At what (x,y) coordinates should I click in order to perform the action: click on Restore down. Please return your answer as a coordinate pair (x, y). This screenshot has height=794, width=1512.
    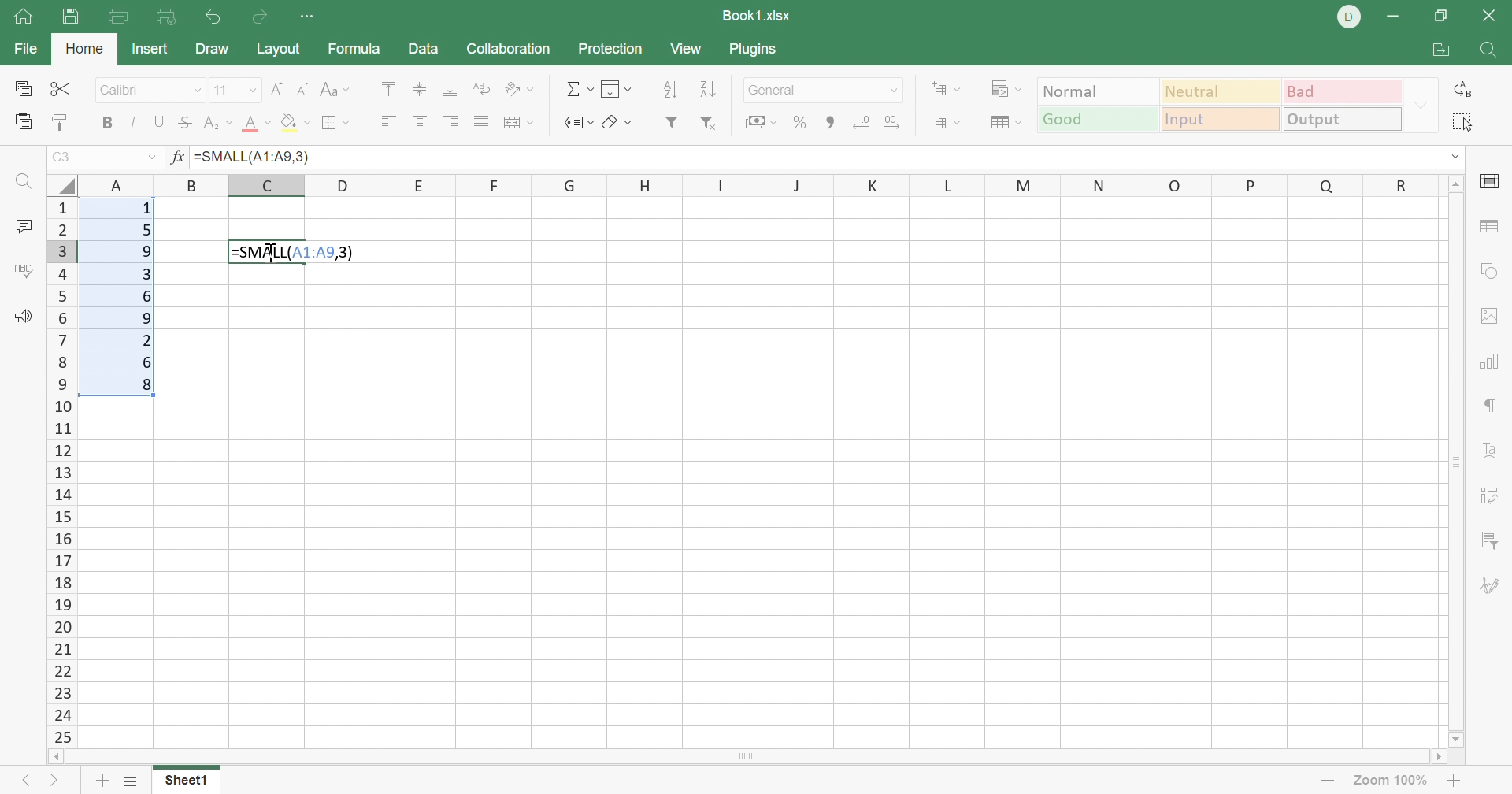
    Looking at the image, I should click on (1442, 17).